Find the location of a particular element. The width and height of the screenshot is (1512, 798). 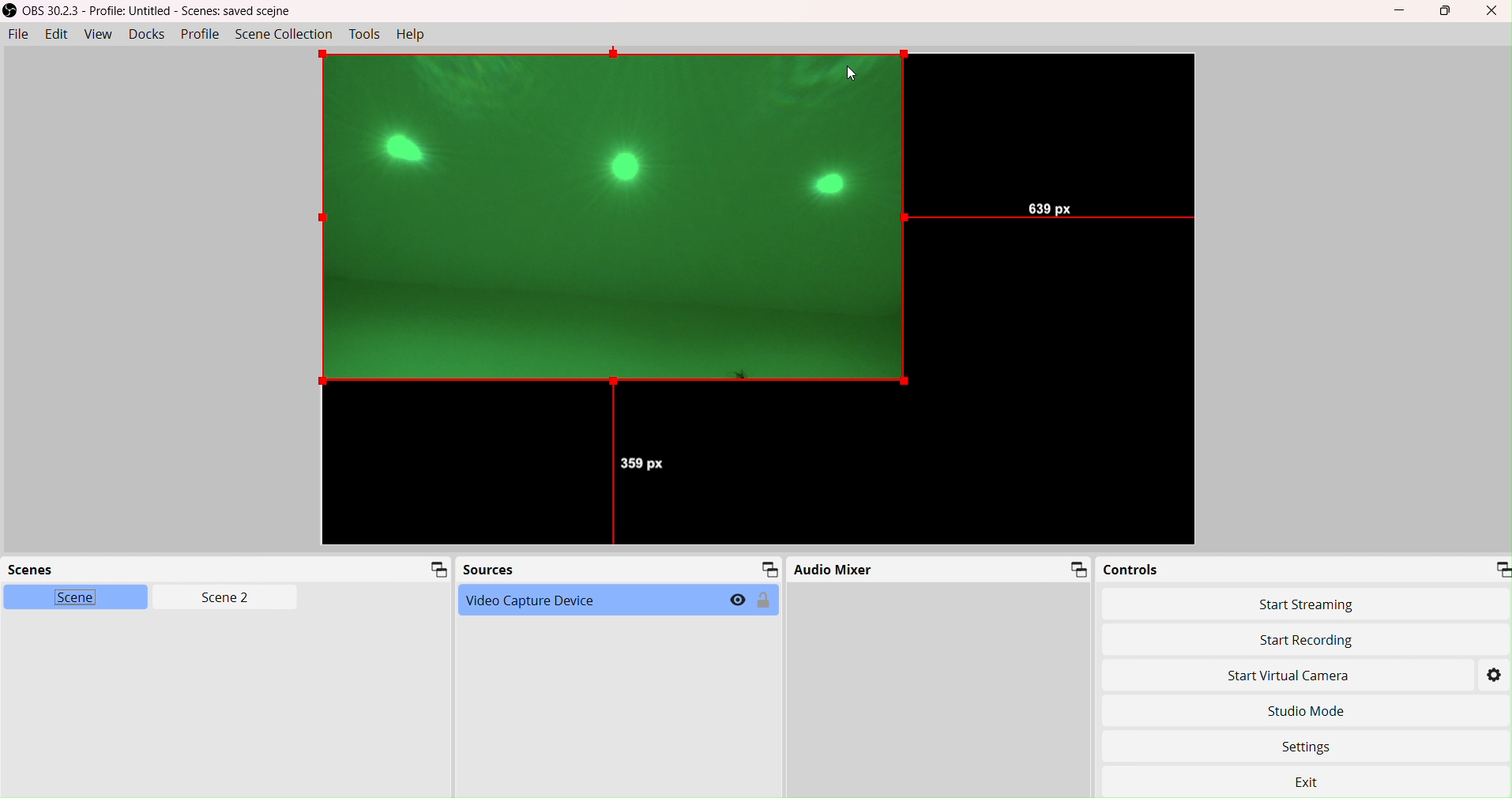

Edit is located at coordinates (56, 35).